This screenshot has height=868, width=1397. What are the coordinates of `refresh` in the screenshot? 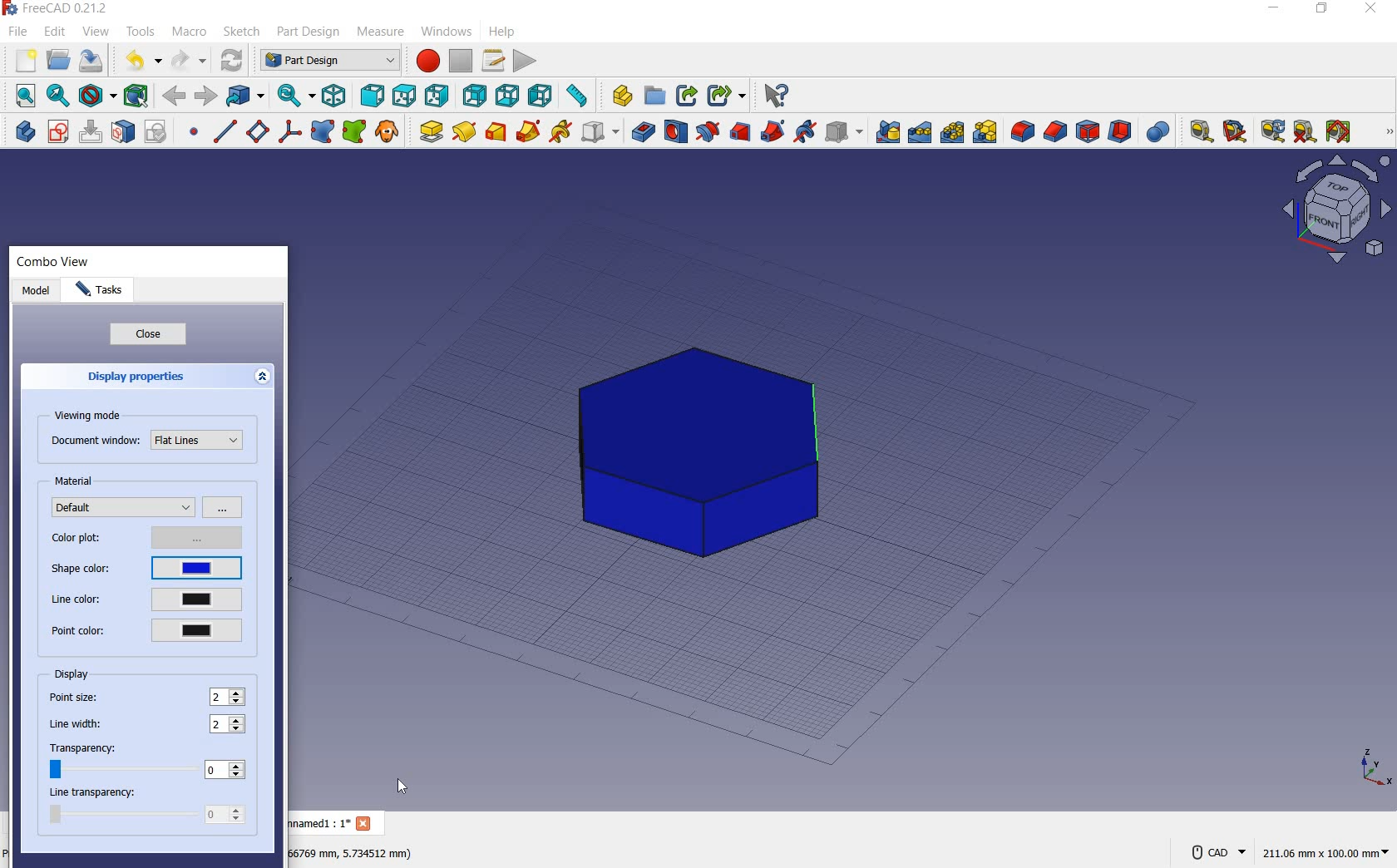 It's located at (231, 61).